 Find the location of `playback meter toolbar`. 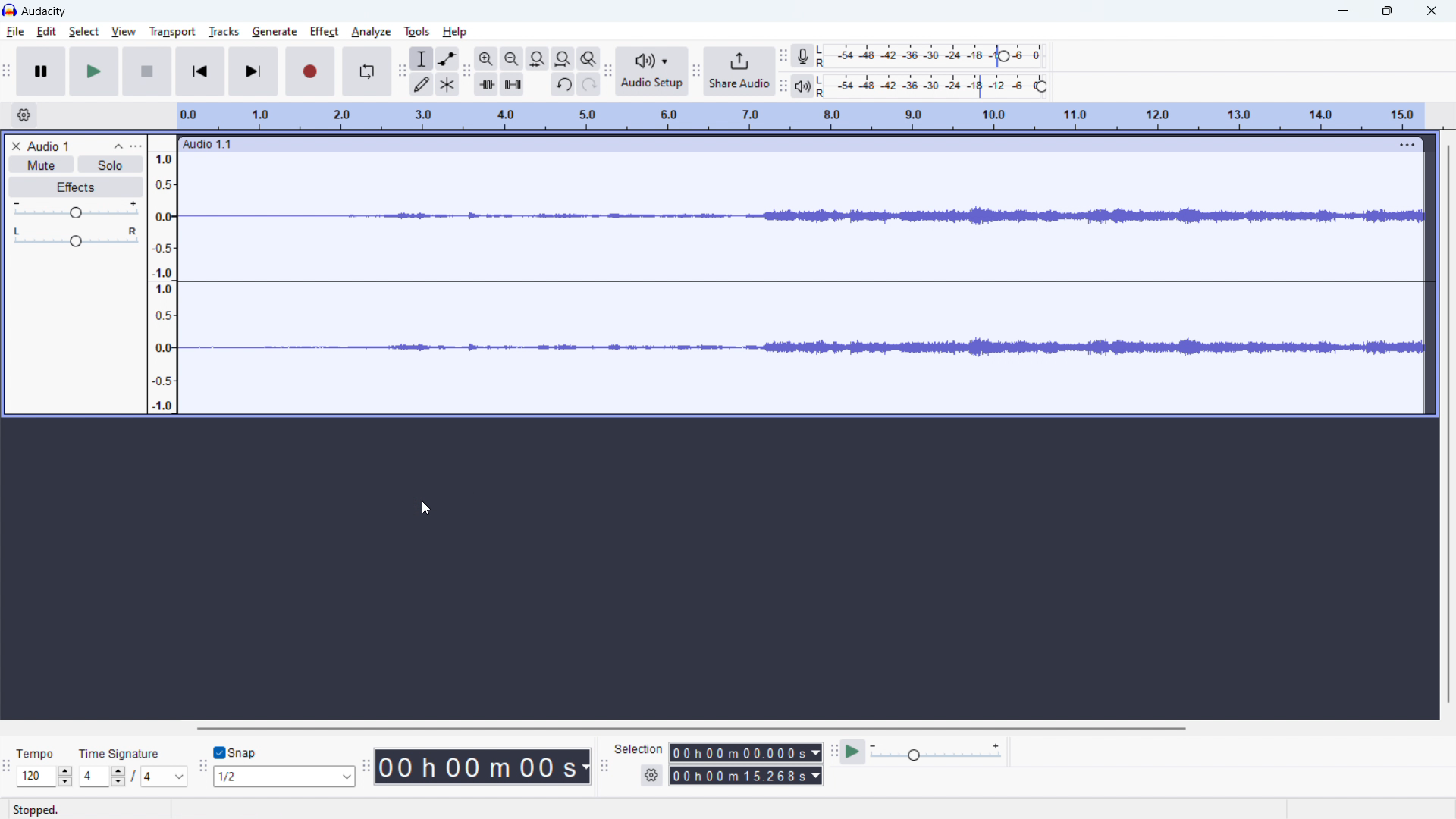

playback meter toolbar is located at coordinates (783, 86).